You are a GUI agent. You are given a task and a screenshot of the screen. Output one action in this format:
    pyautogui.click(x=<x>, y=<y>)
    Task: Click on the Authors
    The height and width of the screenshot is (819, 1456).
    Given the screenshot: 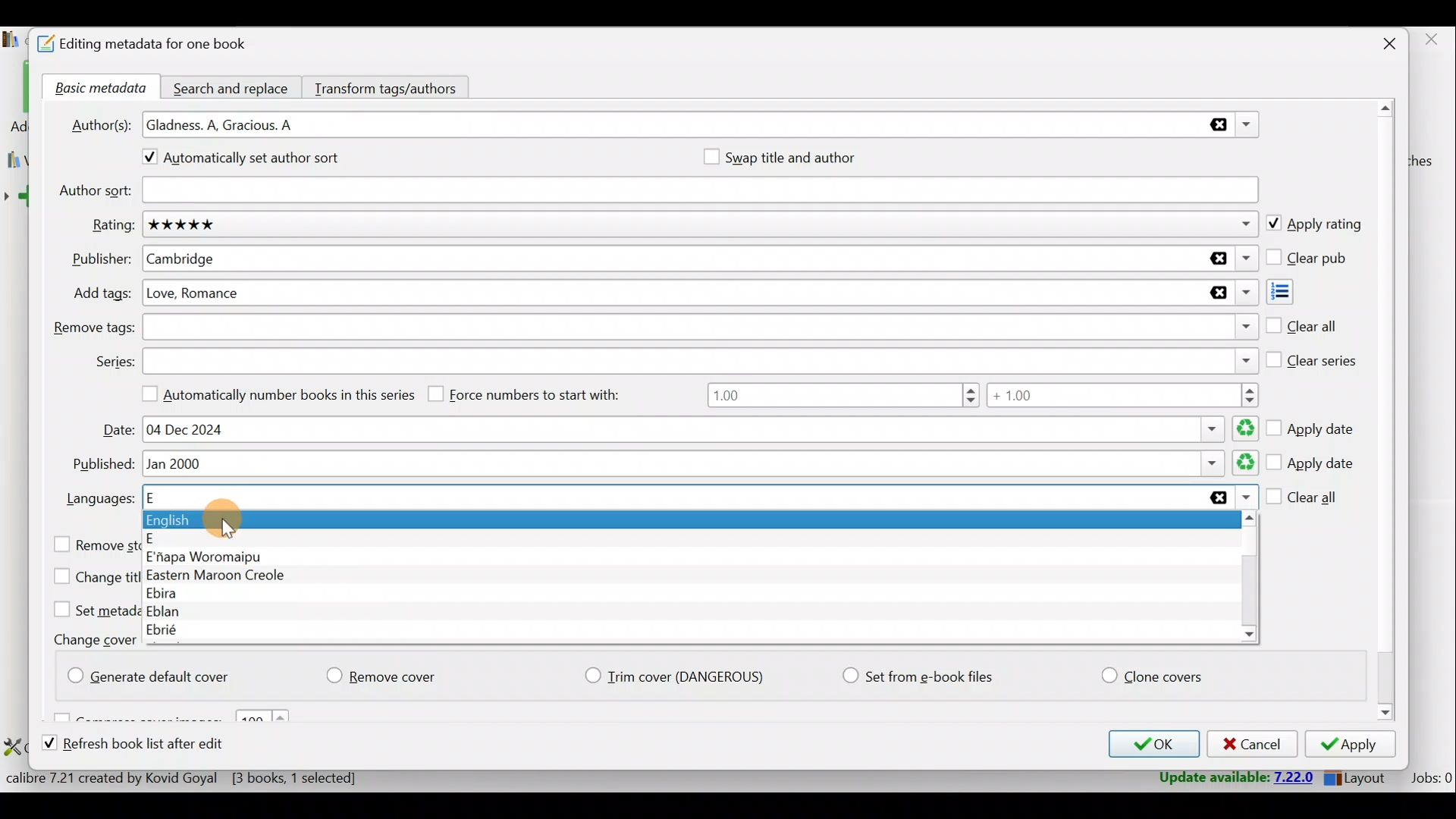 What is the action you would take?
    pyautogui.click(x=702, y=126)
    